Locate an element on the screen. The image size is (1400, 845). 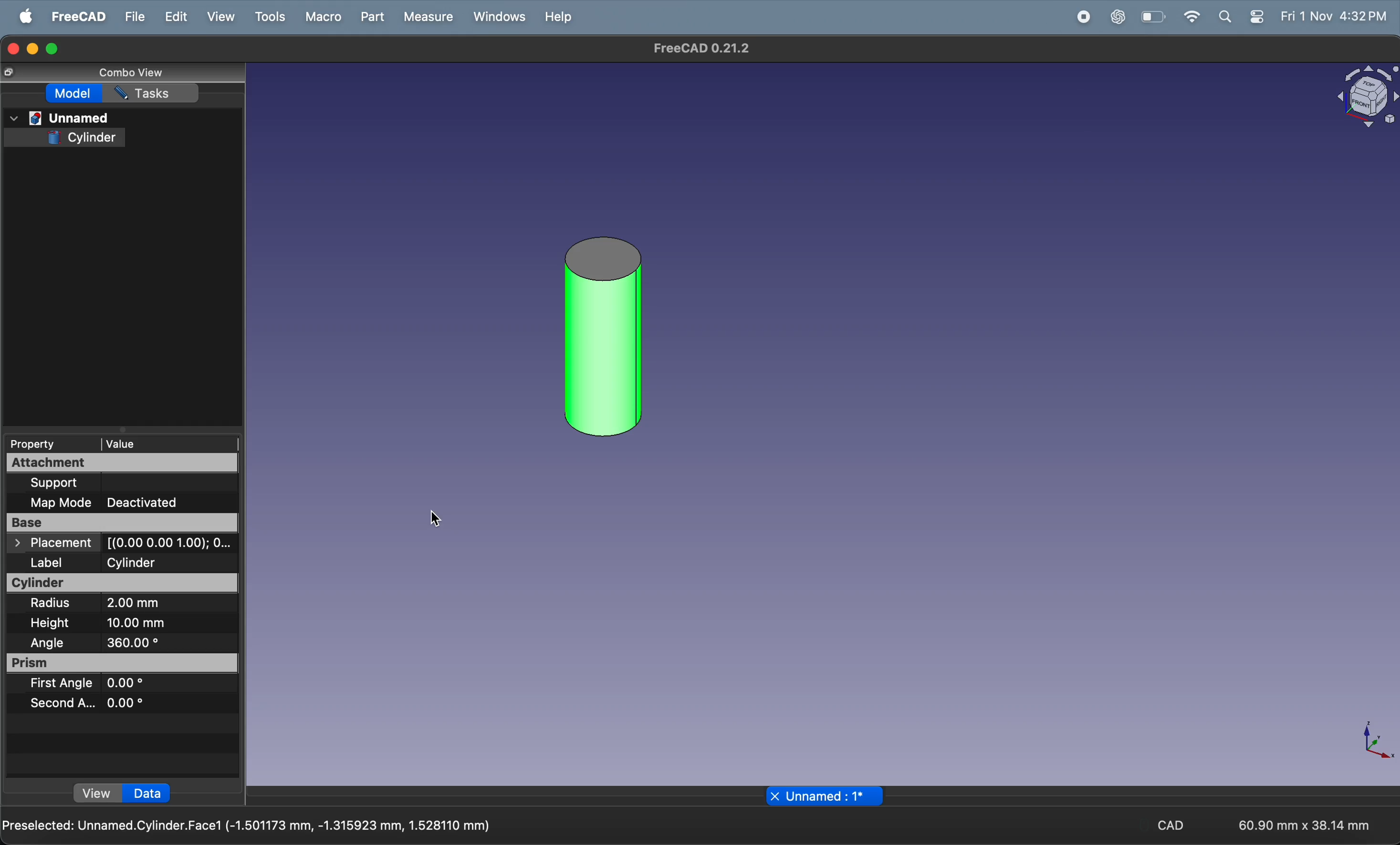
10.00 mm is located at coordinates (143, 623).